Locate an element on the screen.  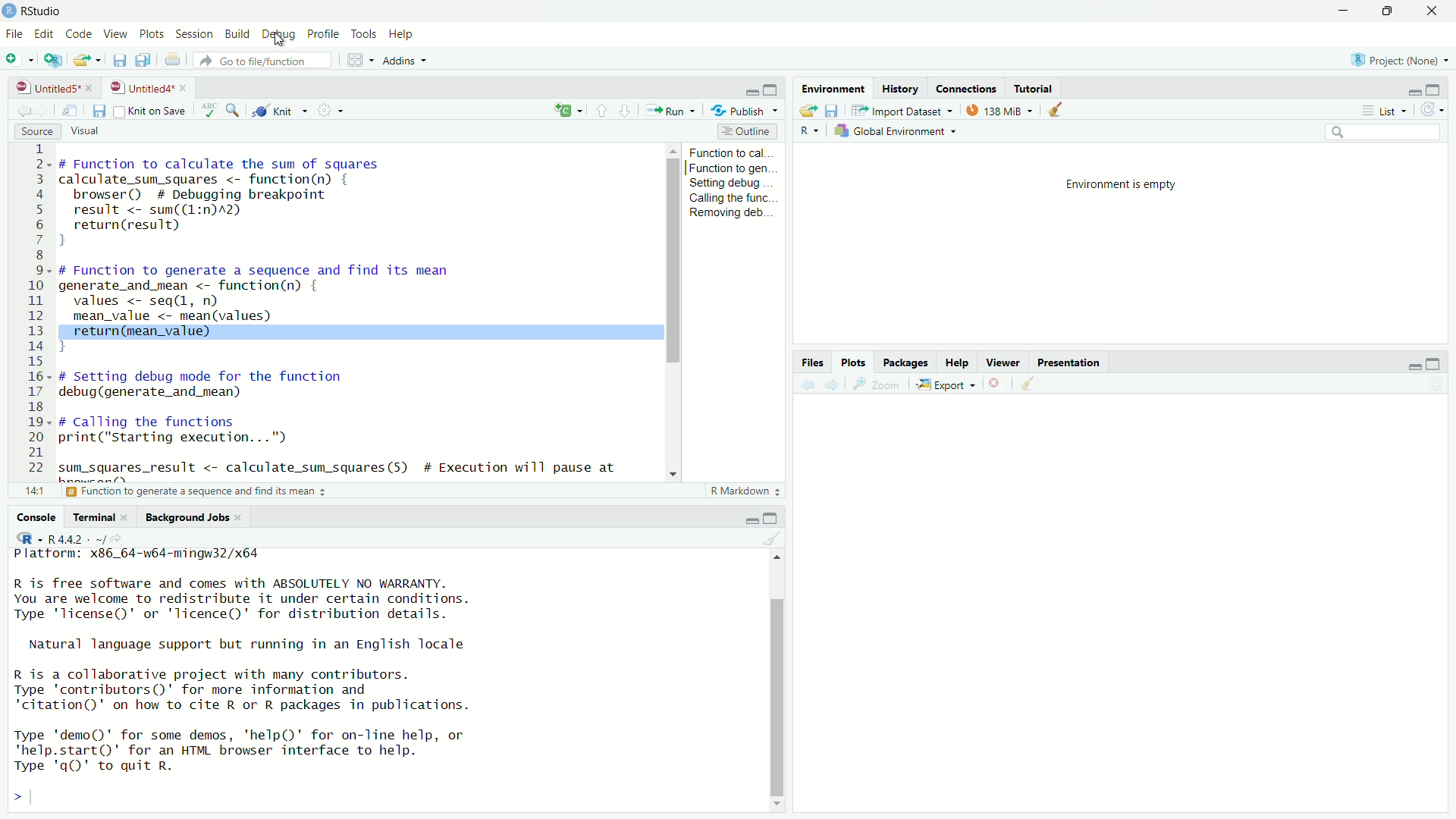
File is located at coordinates (13, 35).